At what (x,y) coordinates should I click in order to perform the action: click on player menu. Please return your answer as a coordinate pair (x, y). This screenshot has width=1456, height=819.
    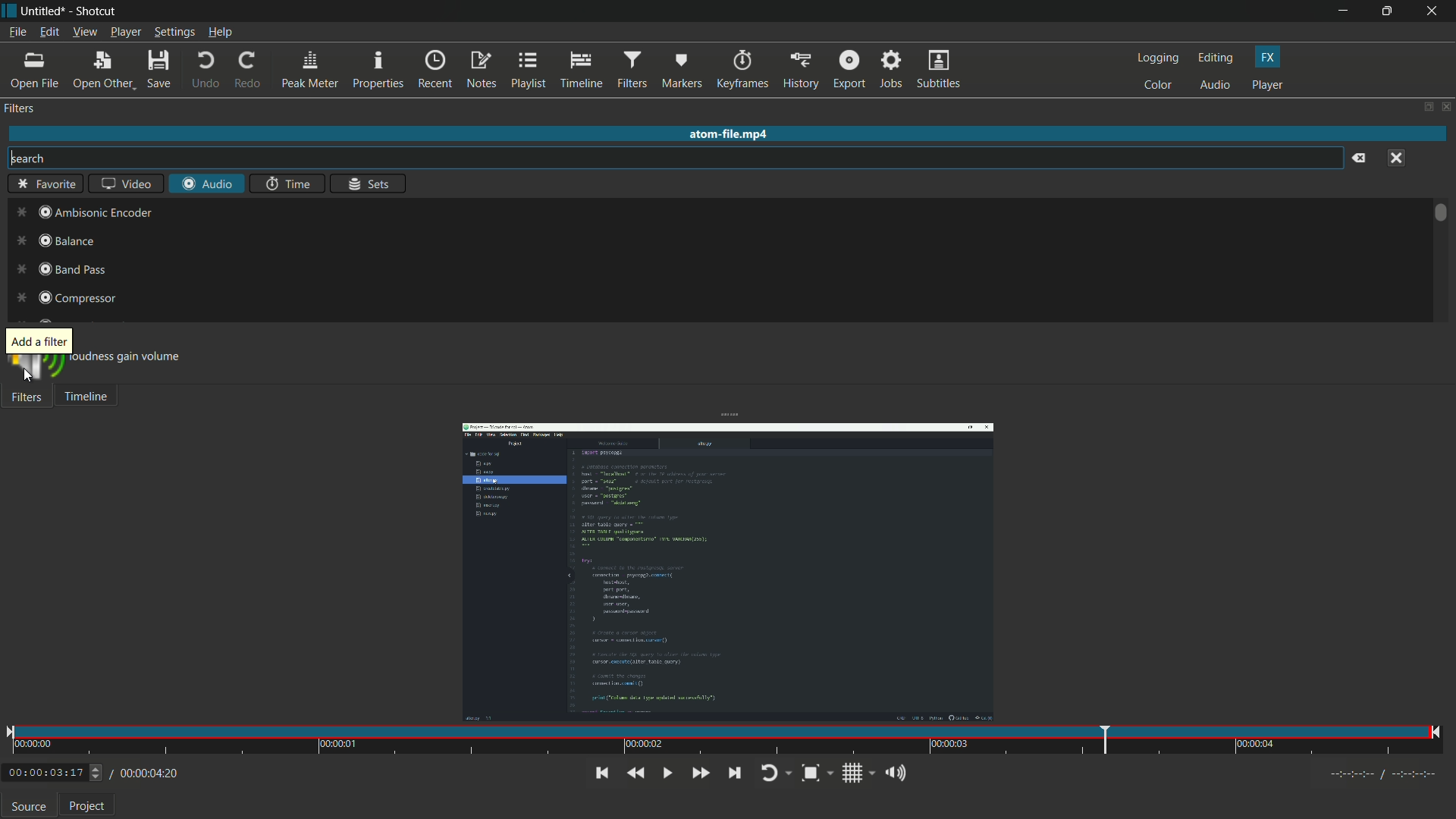
    Looking at the image, I should click on (126, 32).